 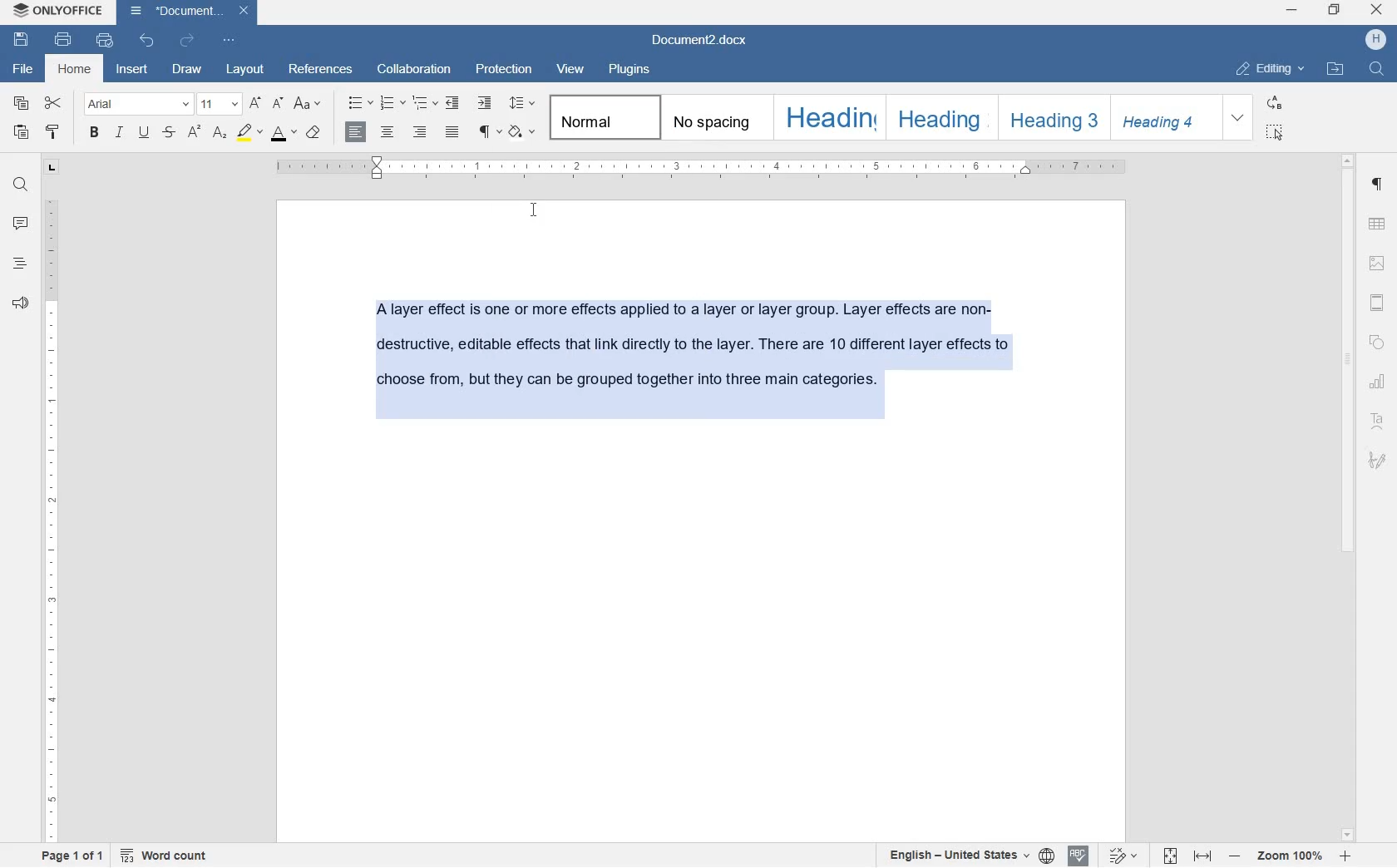 What do you see at coordinates (147, 40) in the screenshot?
I see `undo` at bounding box center [147, 40].